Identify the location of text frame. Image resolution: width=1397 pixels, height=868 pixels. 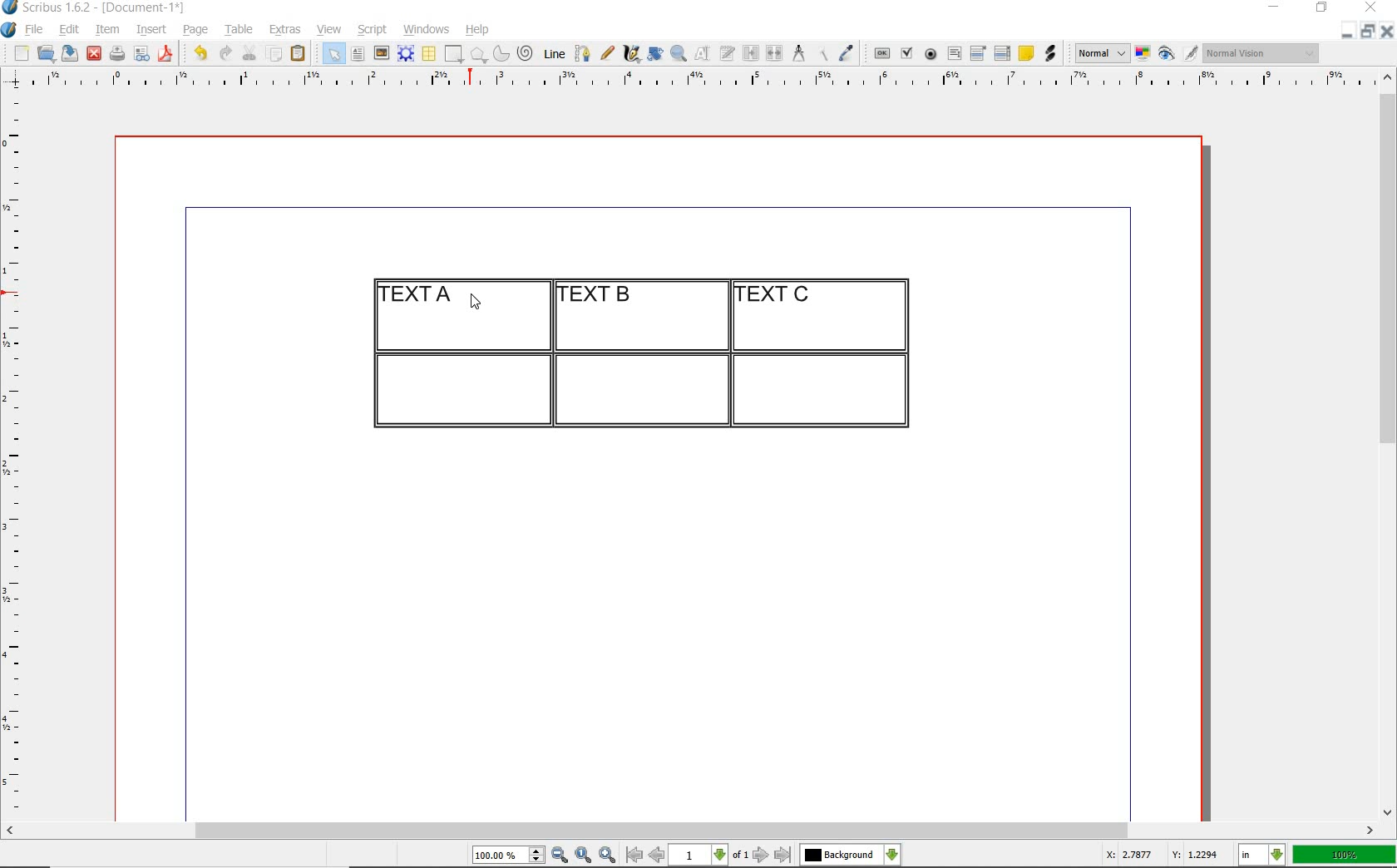
(357, 55).